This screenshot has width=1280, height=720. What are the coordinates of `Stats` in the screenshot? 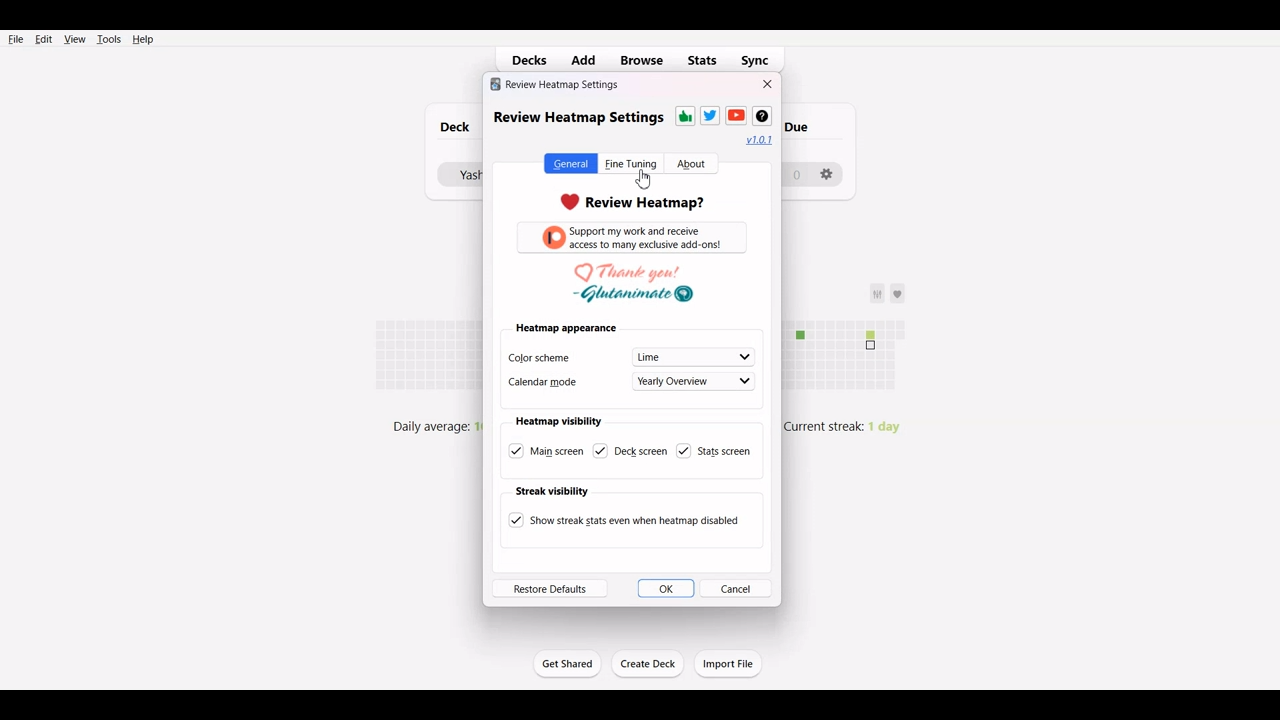 It's located at (703, 60).